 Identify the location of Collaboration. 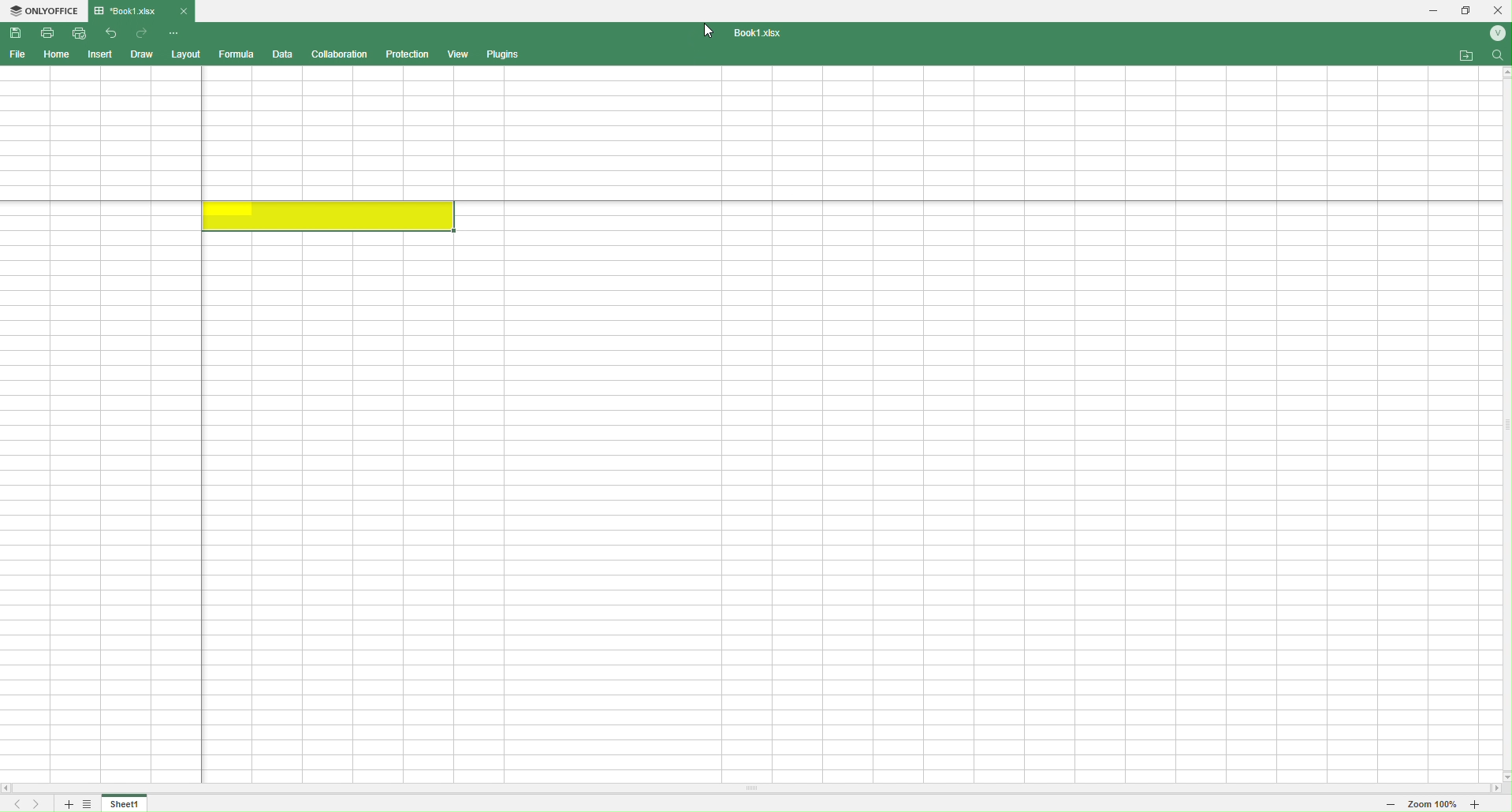
(341, 55).